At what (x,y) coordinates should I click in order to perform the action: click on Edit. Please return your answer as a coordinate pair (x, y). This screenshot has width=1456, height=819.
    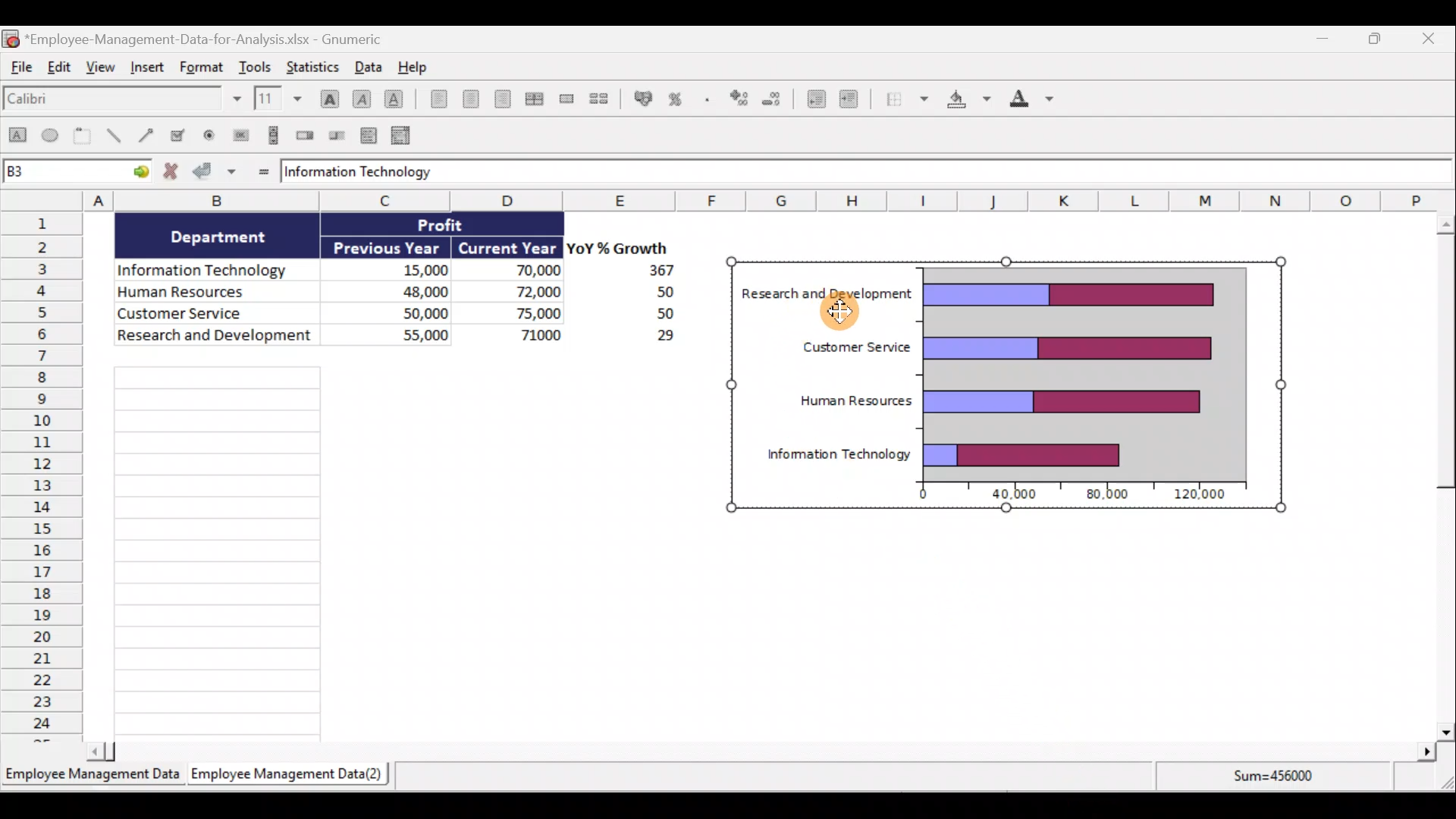
    Looking at the image, I should click on (59, 67).